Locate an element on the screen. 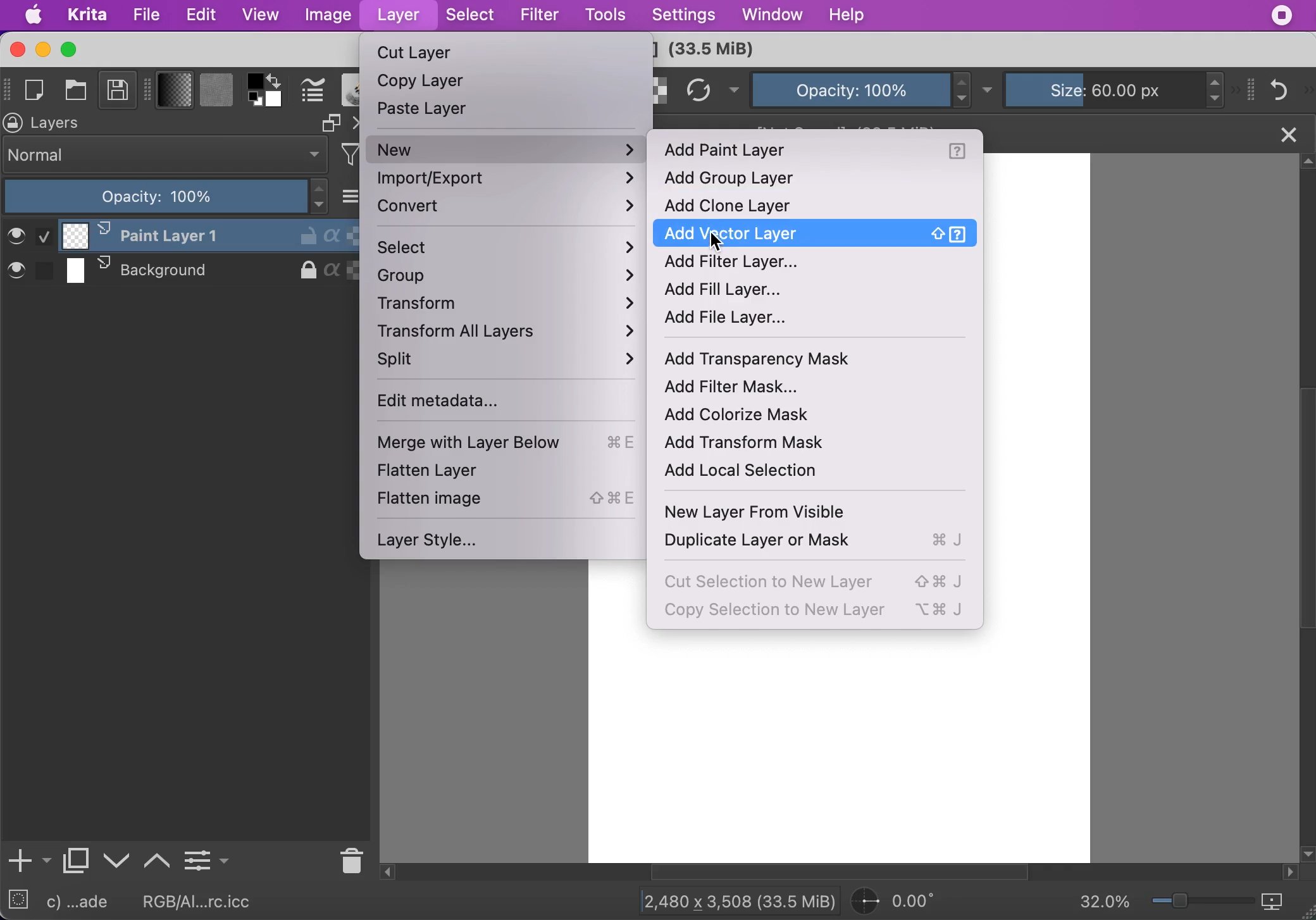  add paint layer is located at coordinates (820, 152).